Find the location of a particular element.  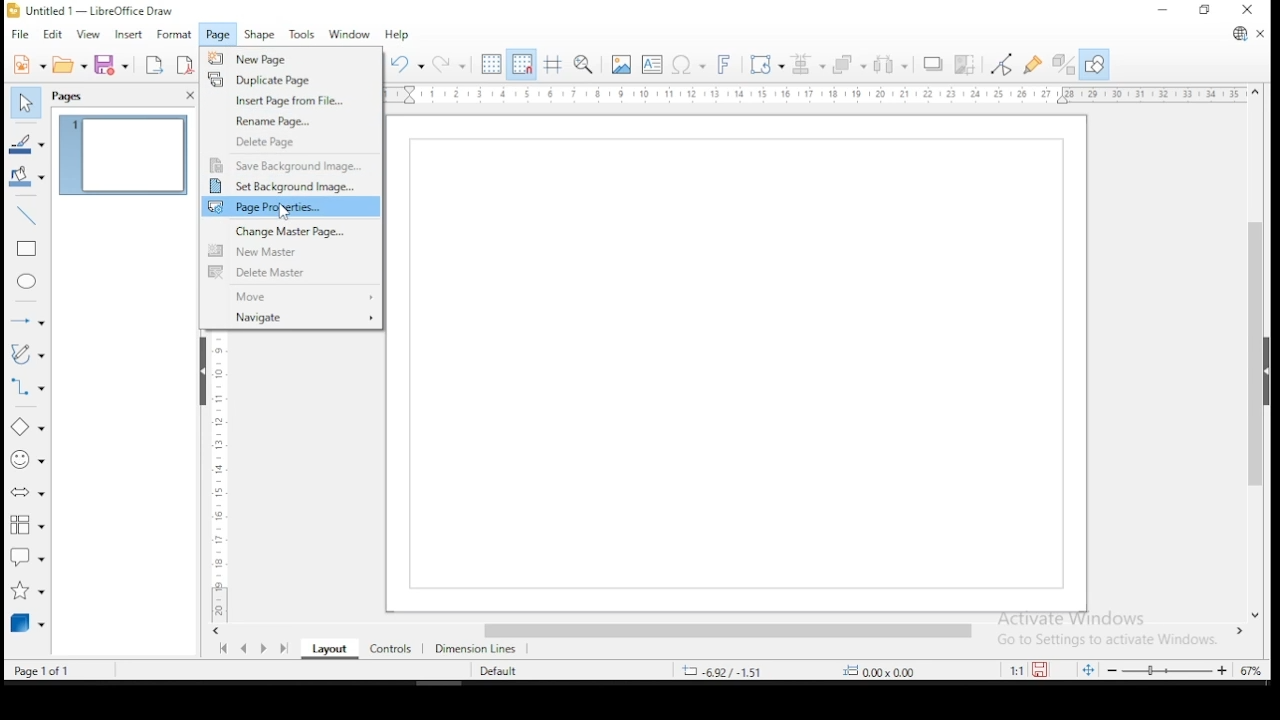

minimize is located at coordinates (1163, 10).